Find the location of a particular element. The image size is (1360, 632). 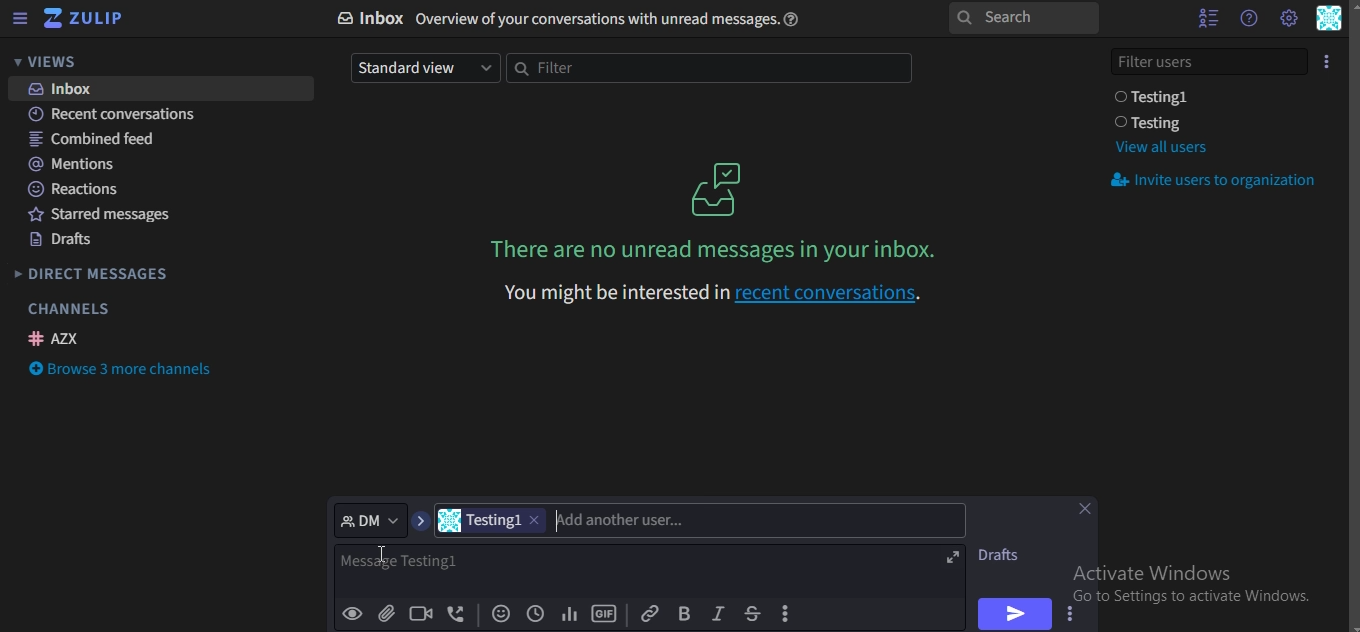

combined feed is located at coordinates (95, 140).